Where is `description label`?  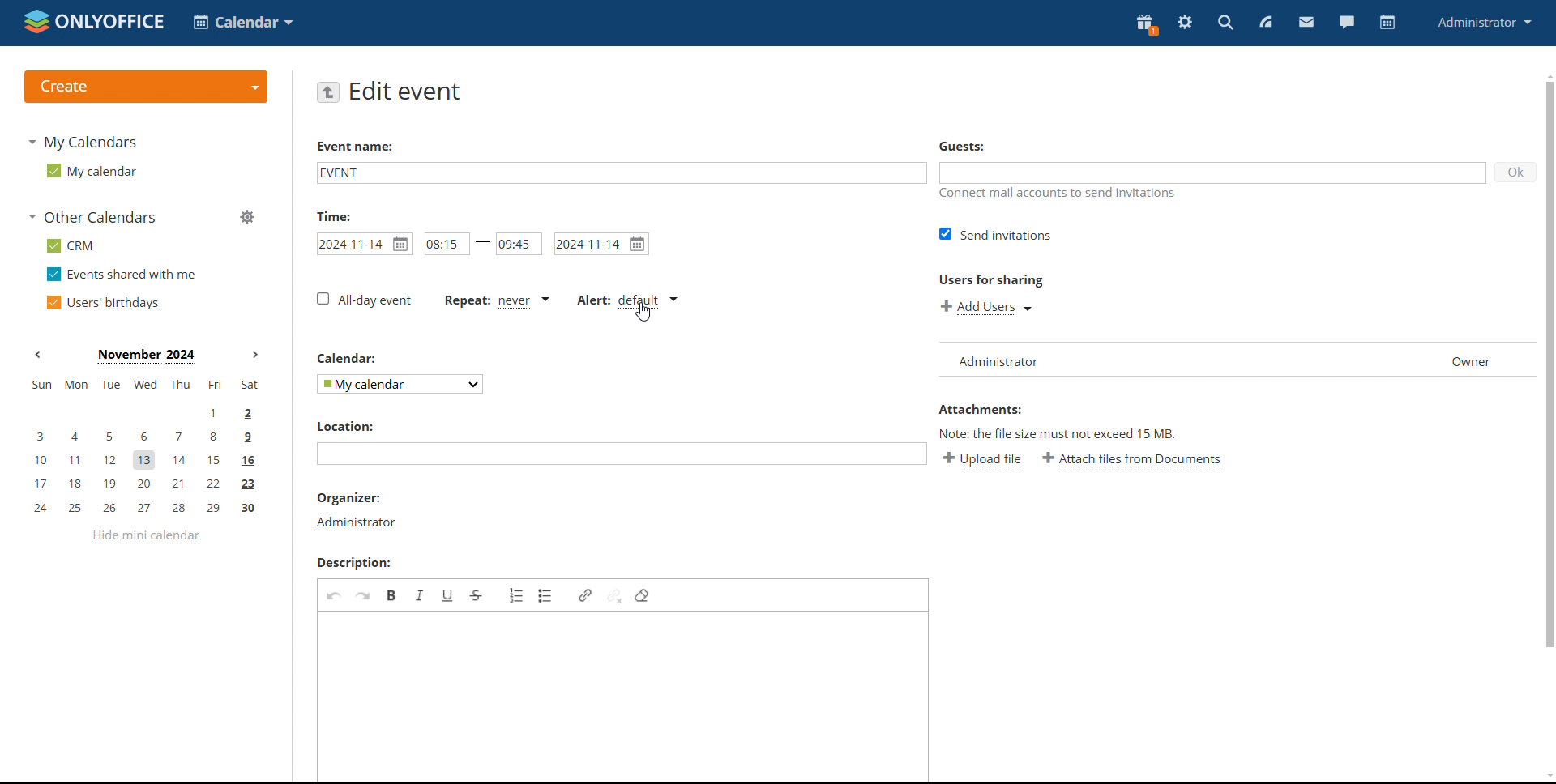
description label is located at coordinates (357, 561).